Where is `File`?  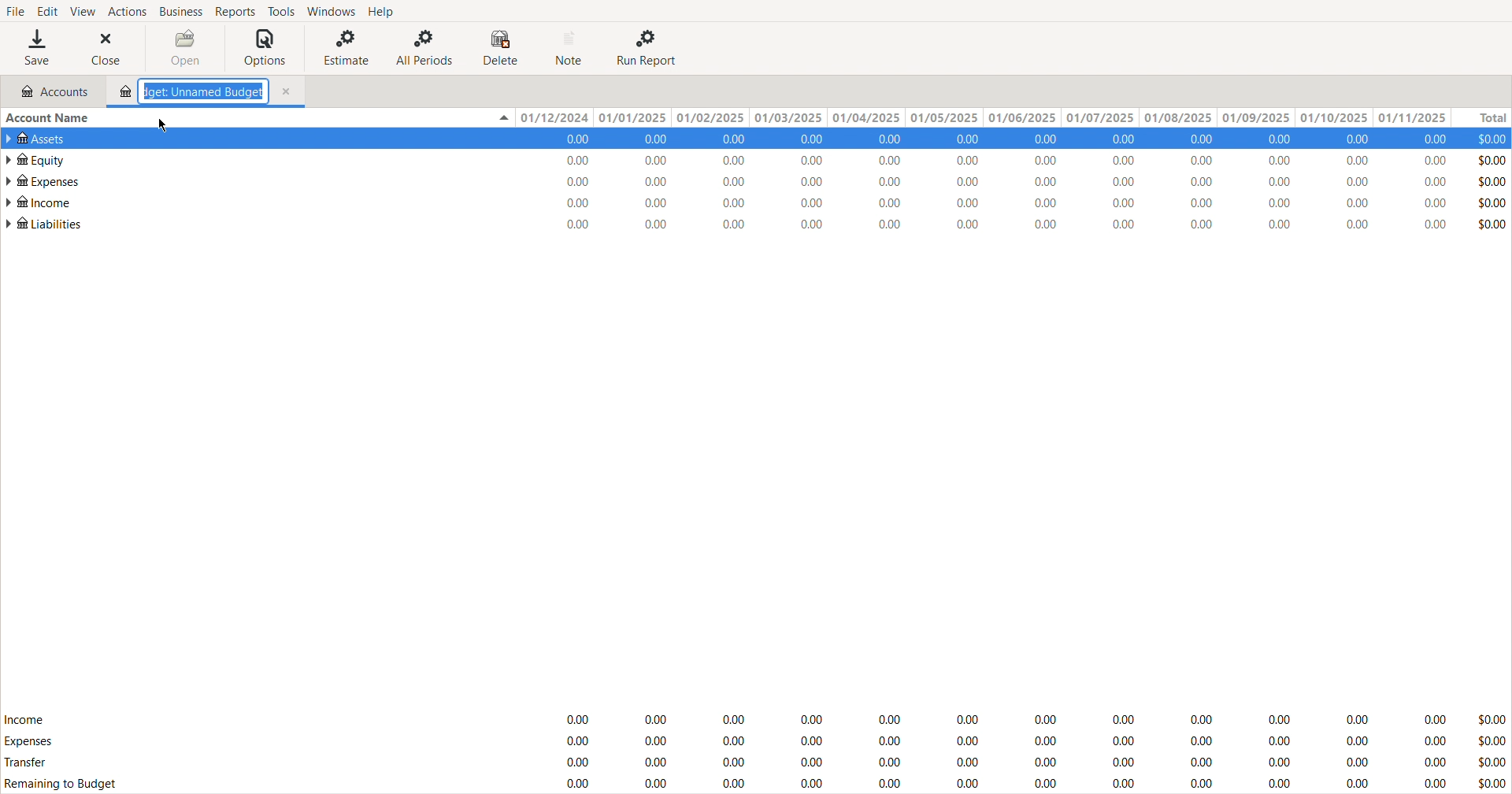
File is located at coordinates (15, 9).